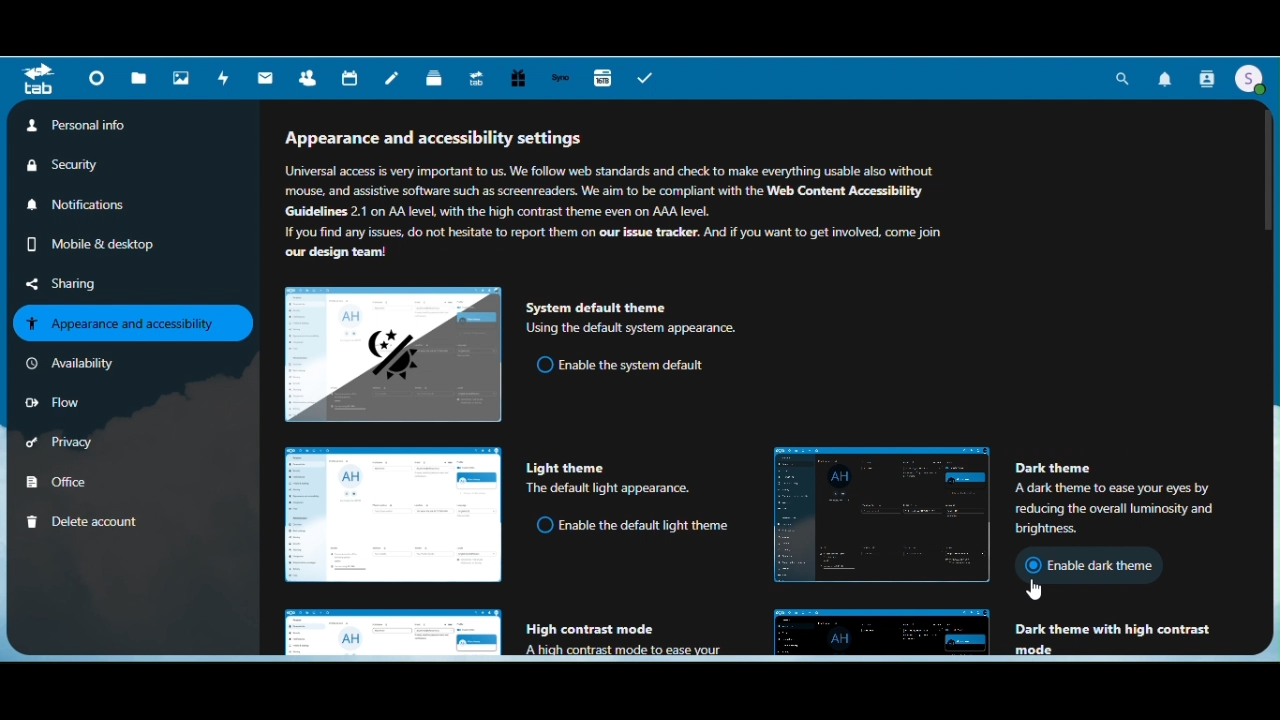 The height and width of the screenshot is (720, 1280). I want to click on Availability, so click(78, 364).